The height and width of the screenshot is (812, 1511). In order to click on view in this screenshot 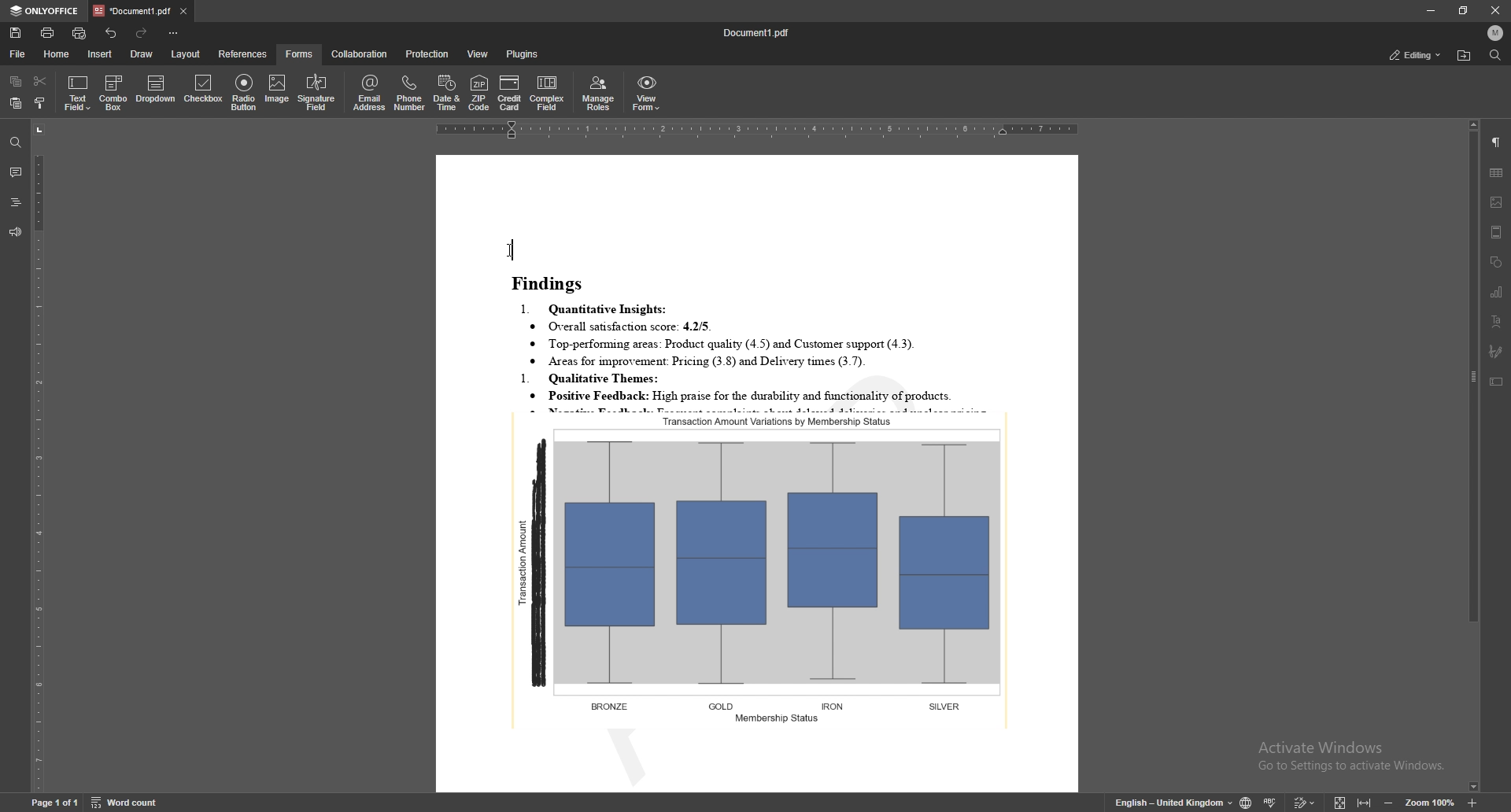, I will do `click(479, 54)`.